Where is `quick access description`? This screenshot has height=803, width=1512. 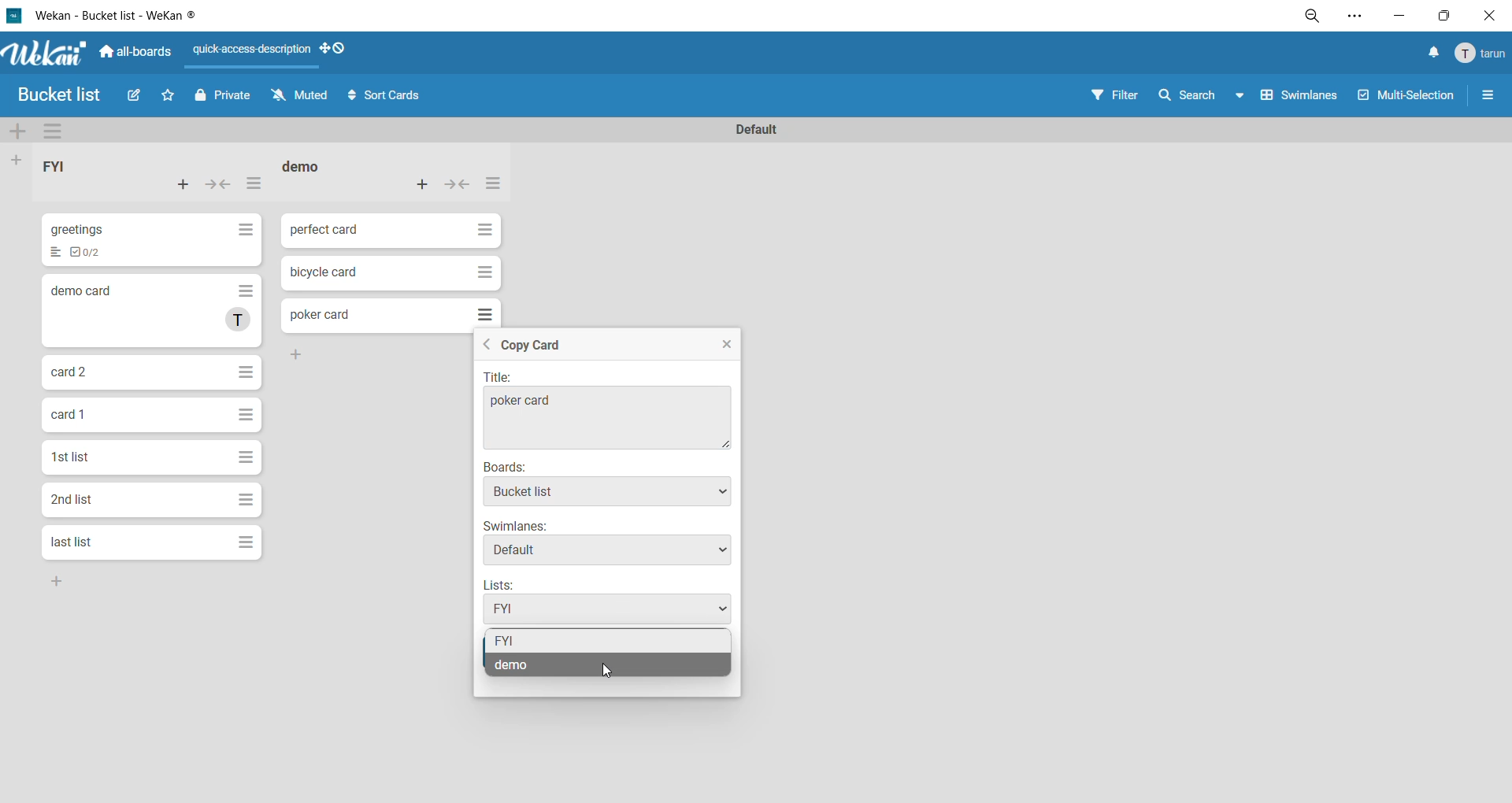
quick access description is located at coordinates (254, 55).